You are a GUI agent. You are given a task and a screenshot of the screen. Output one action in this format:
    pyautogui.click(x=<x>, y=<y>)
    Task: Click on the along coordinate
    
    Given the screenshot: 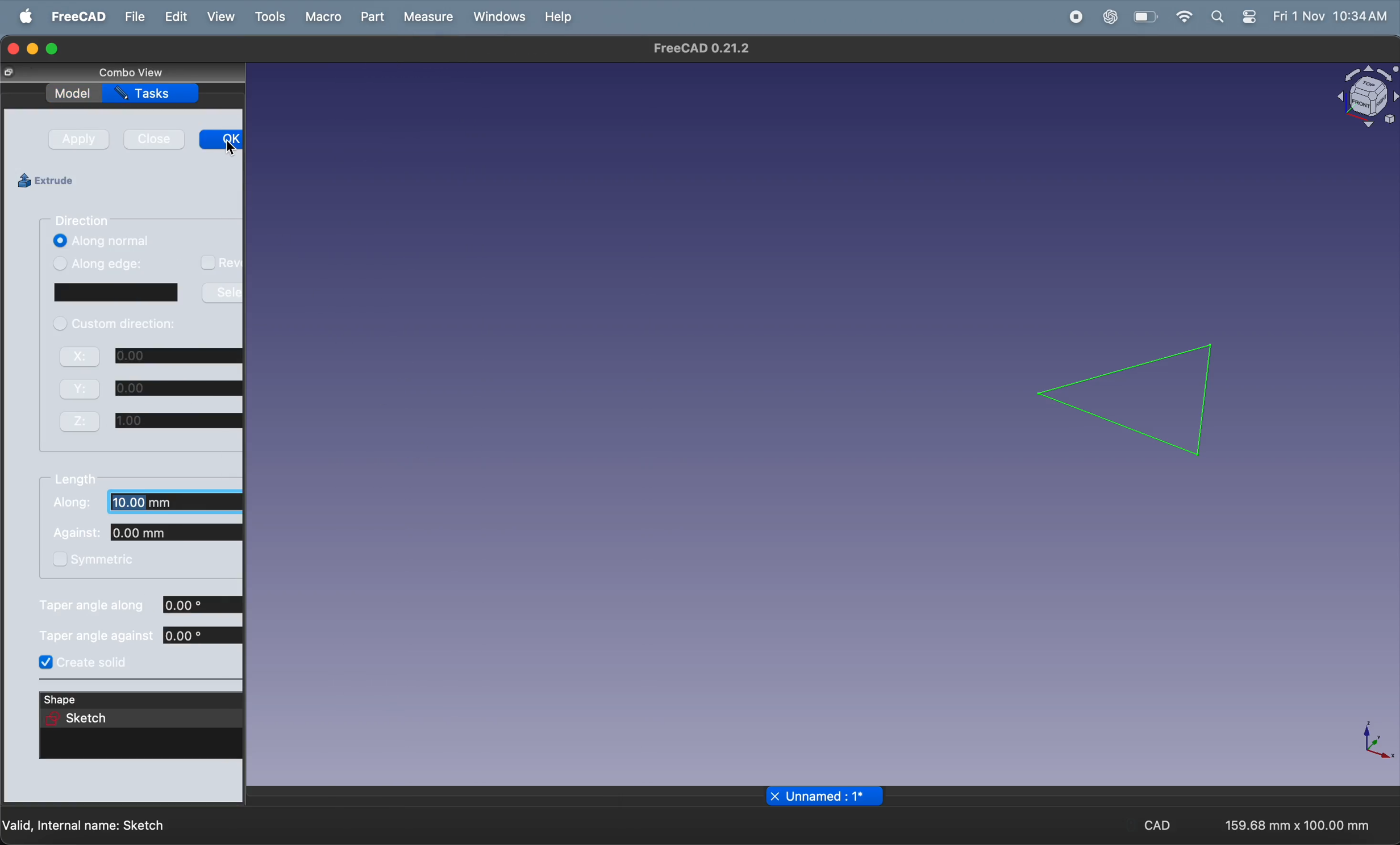 What is the action you would take?
    pyautogui.click(x=176, y=502)
    